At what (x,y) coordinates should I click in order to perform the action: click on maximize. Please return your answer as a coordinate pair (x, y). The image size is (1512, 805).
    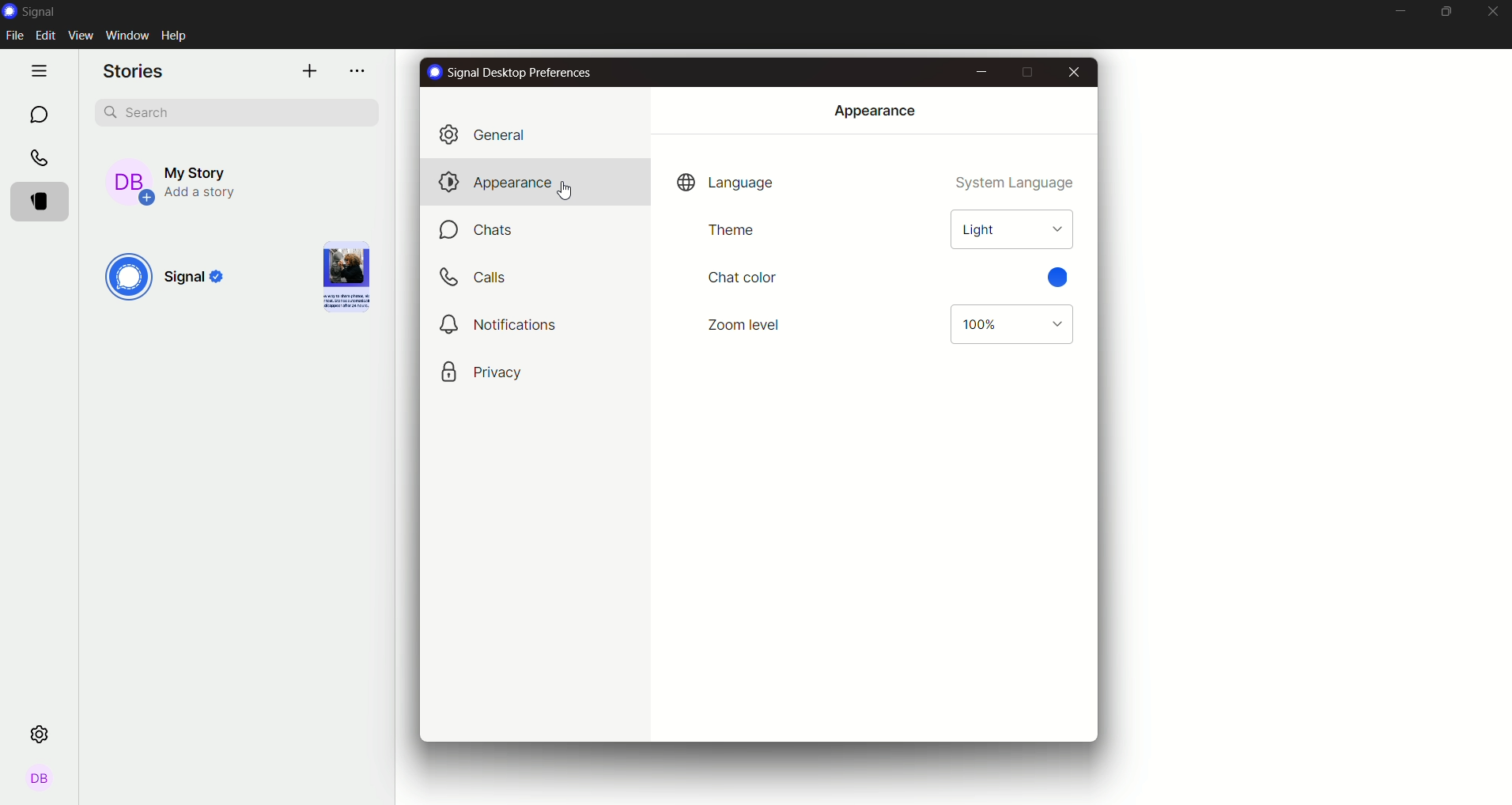
    Looking at the image, I should click on (1026, 73).